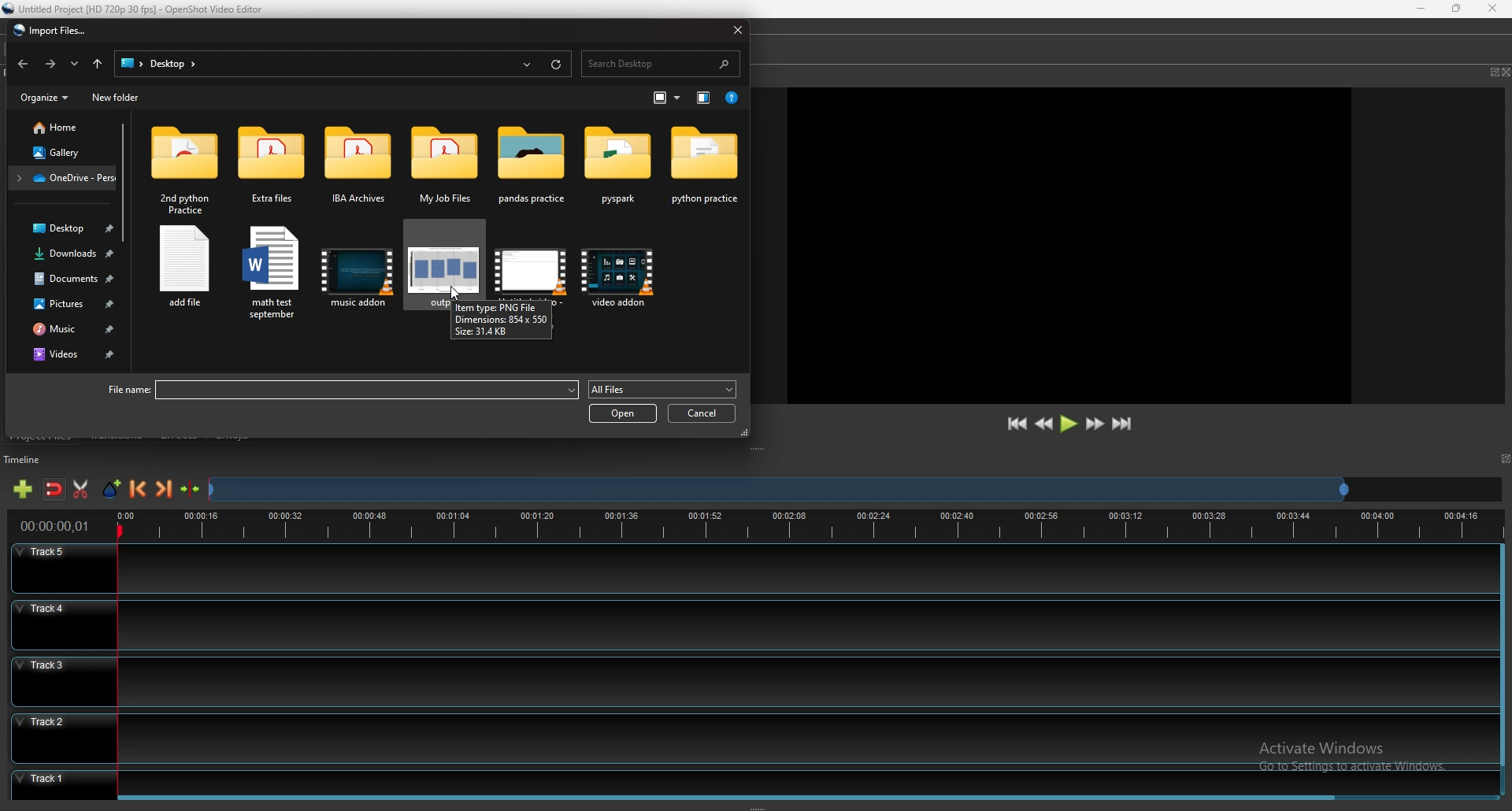 Image resolution: width=1512 pixels, height=811 pixels. What do you see at coordinates (139, 489) in the screenshot?
I see `previous marker` at bounding box center [139, 489].